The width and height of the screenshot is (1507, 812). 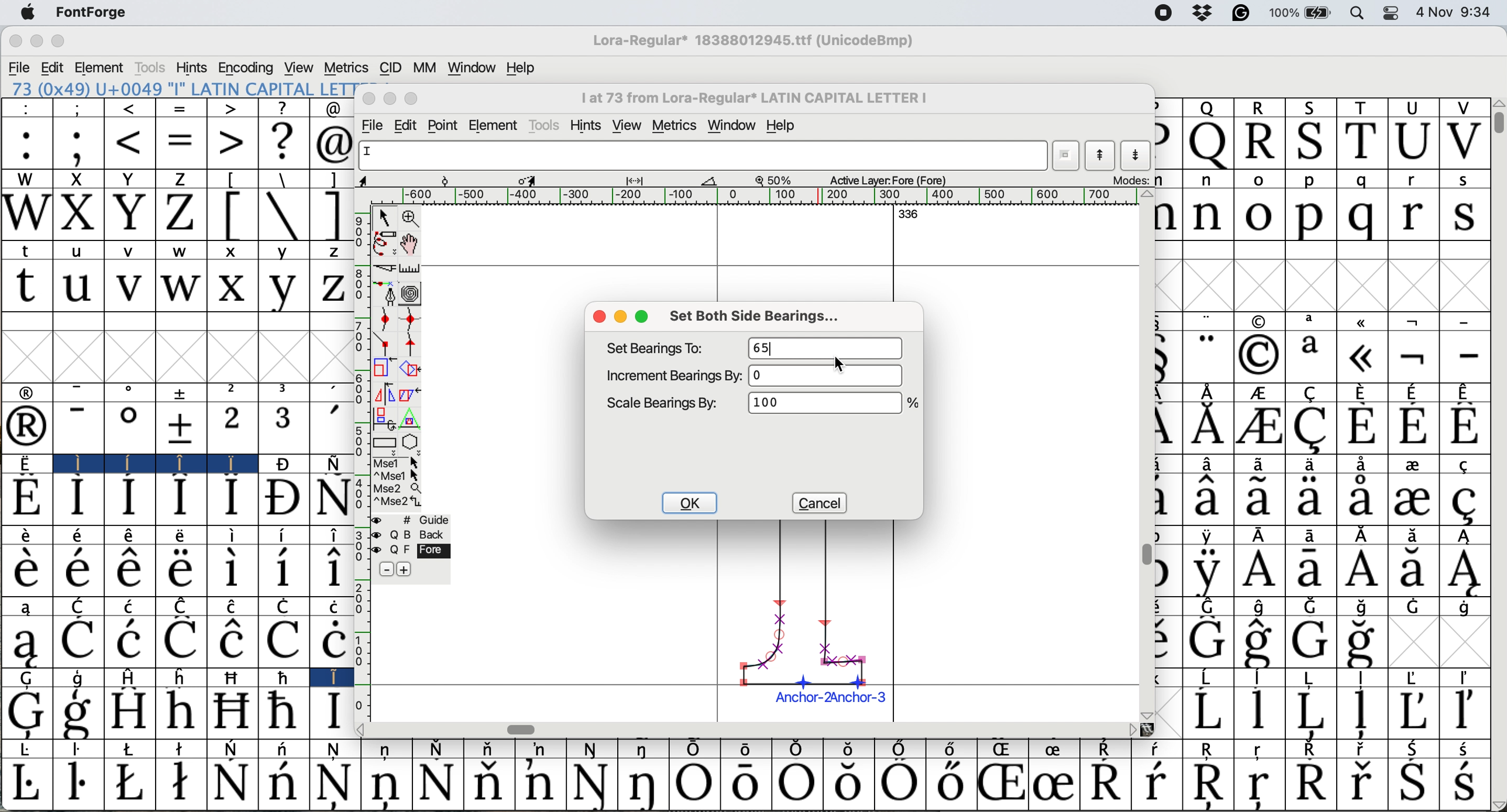 I want to click on close, so click(x=369, y=99).